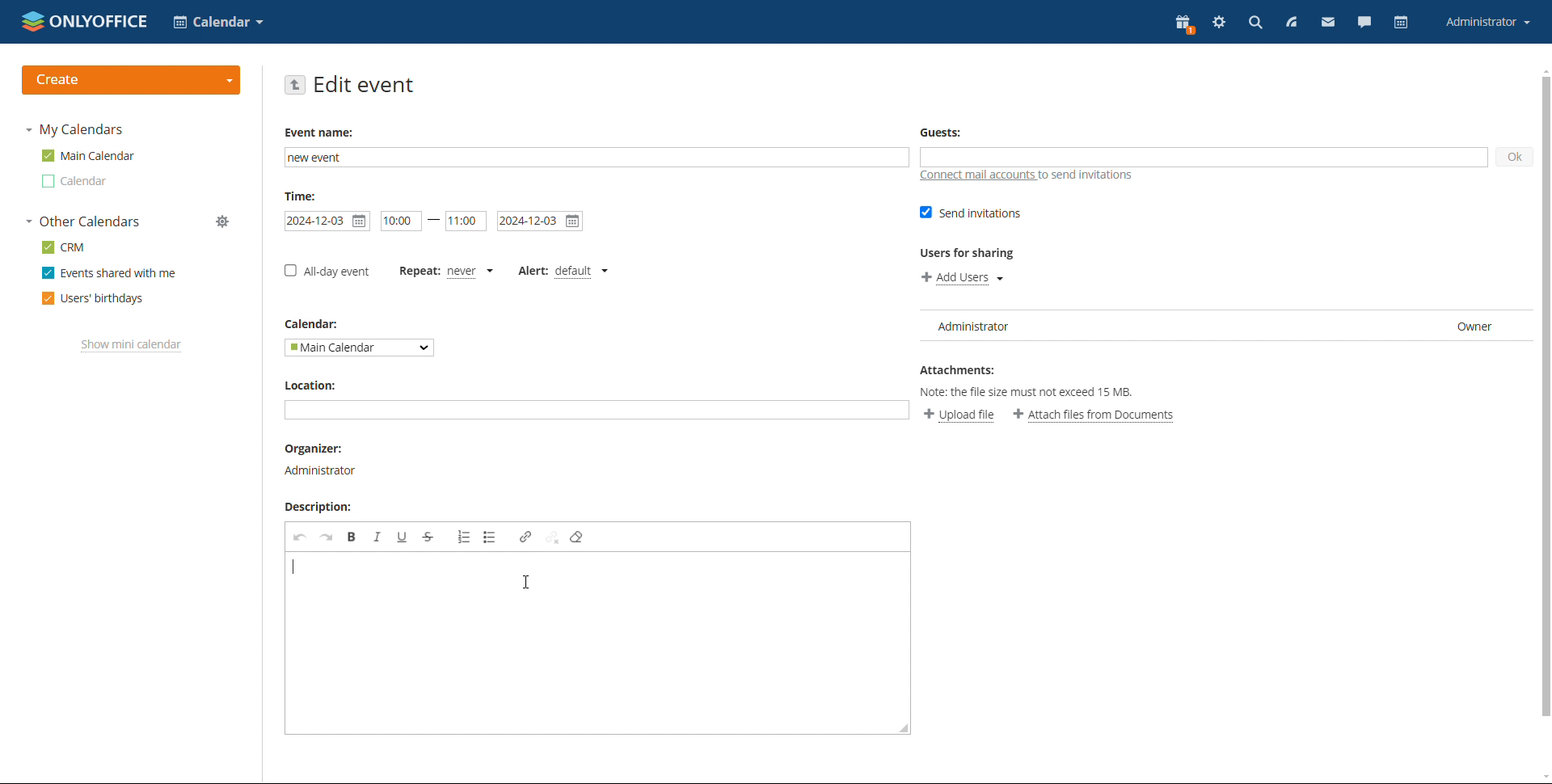 The height and width of the screenshot is (784, 1552). I want to click on create, so click(132, 80).